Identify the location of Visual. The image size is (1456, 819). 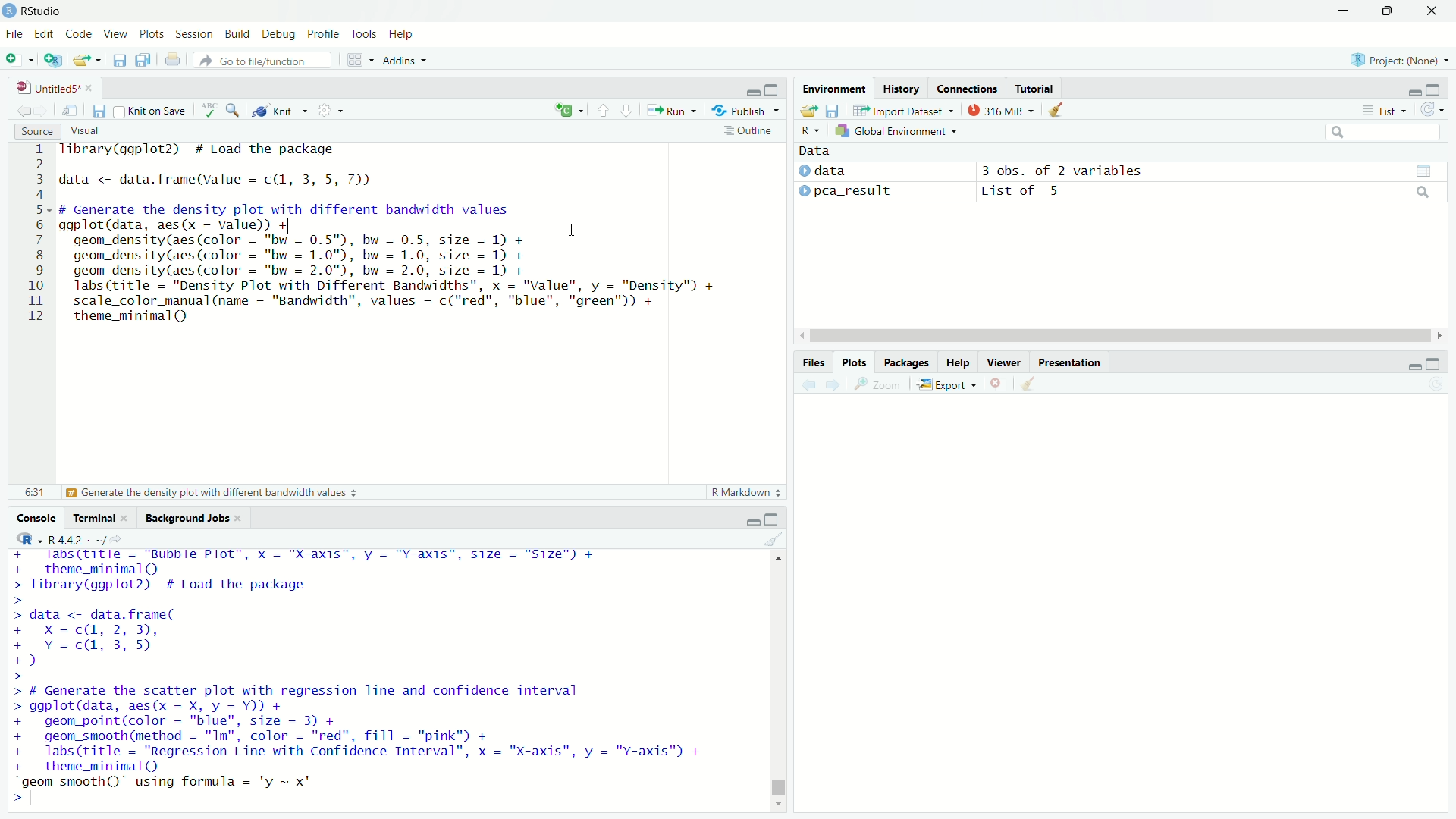
(84, 131).